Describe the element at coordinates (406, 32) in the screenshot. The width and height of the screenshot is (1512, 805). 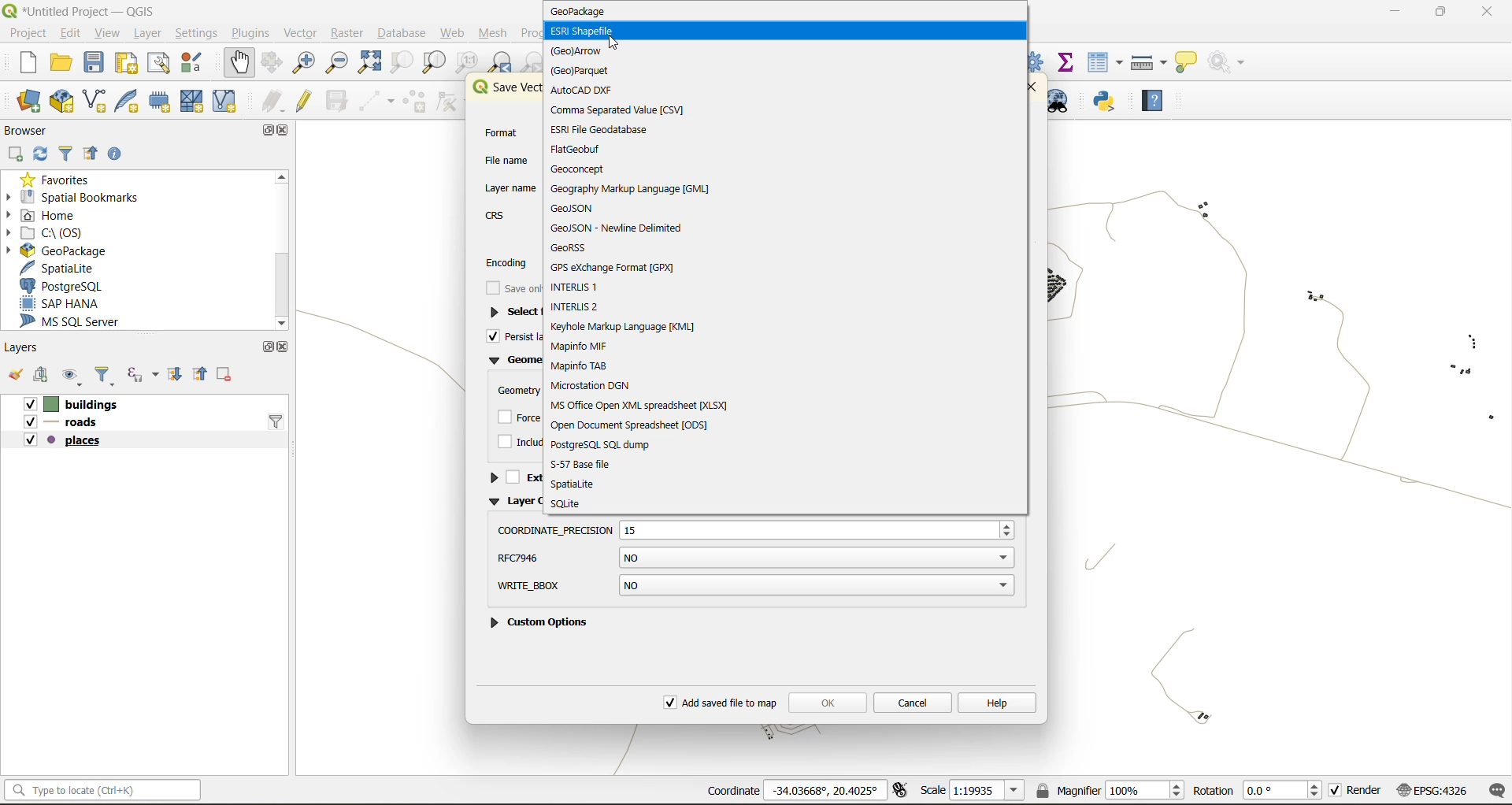
I see `database` at that location.